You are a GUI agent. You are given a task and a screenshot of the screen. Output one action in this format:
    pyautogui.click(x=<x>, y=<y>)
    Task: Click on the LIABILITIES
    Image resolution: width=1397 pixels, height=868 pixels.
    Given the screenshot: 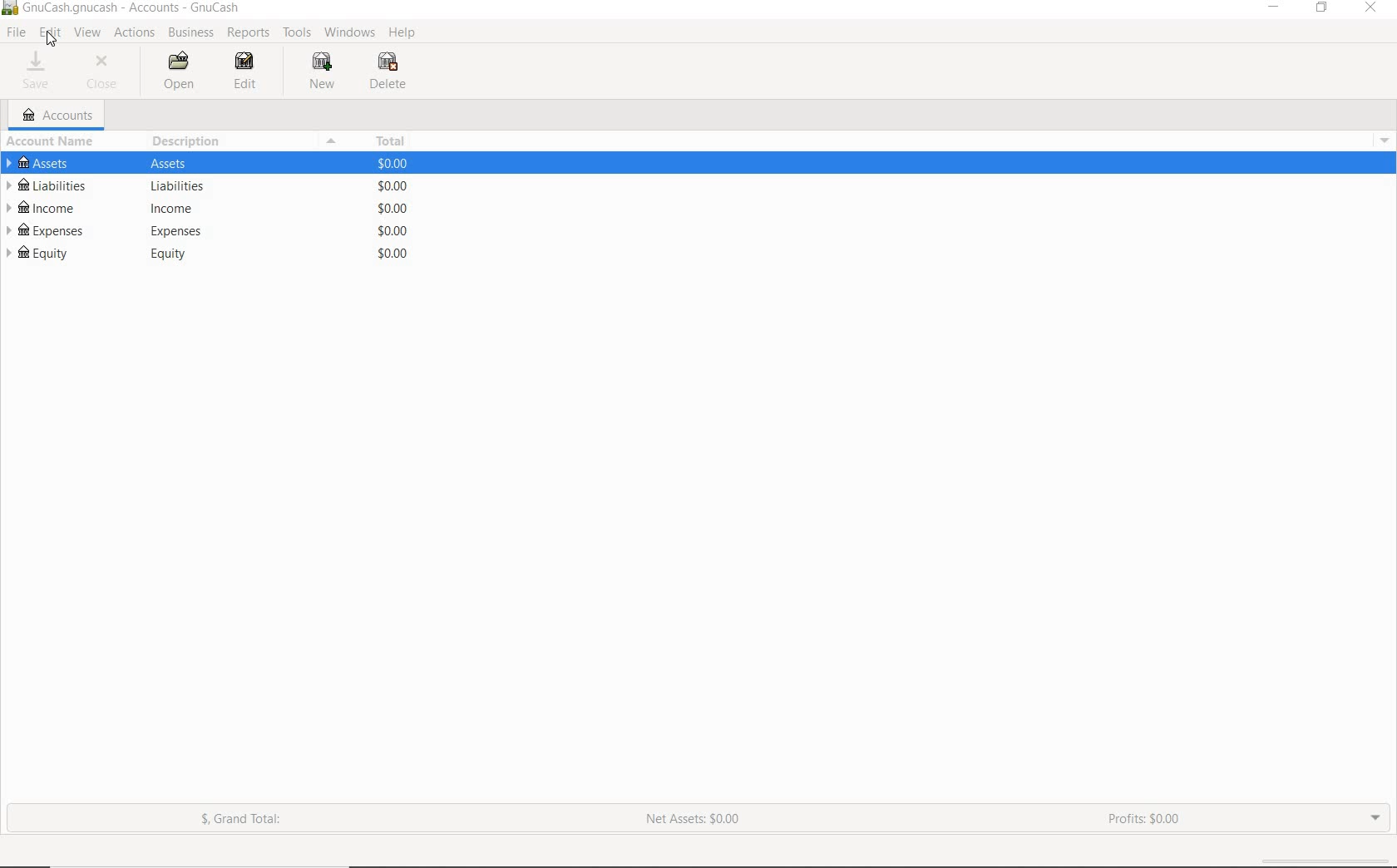 What is the action you would take?
    pyautogui.click(x=204, y=186)
    